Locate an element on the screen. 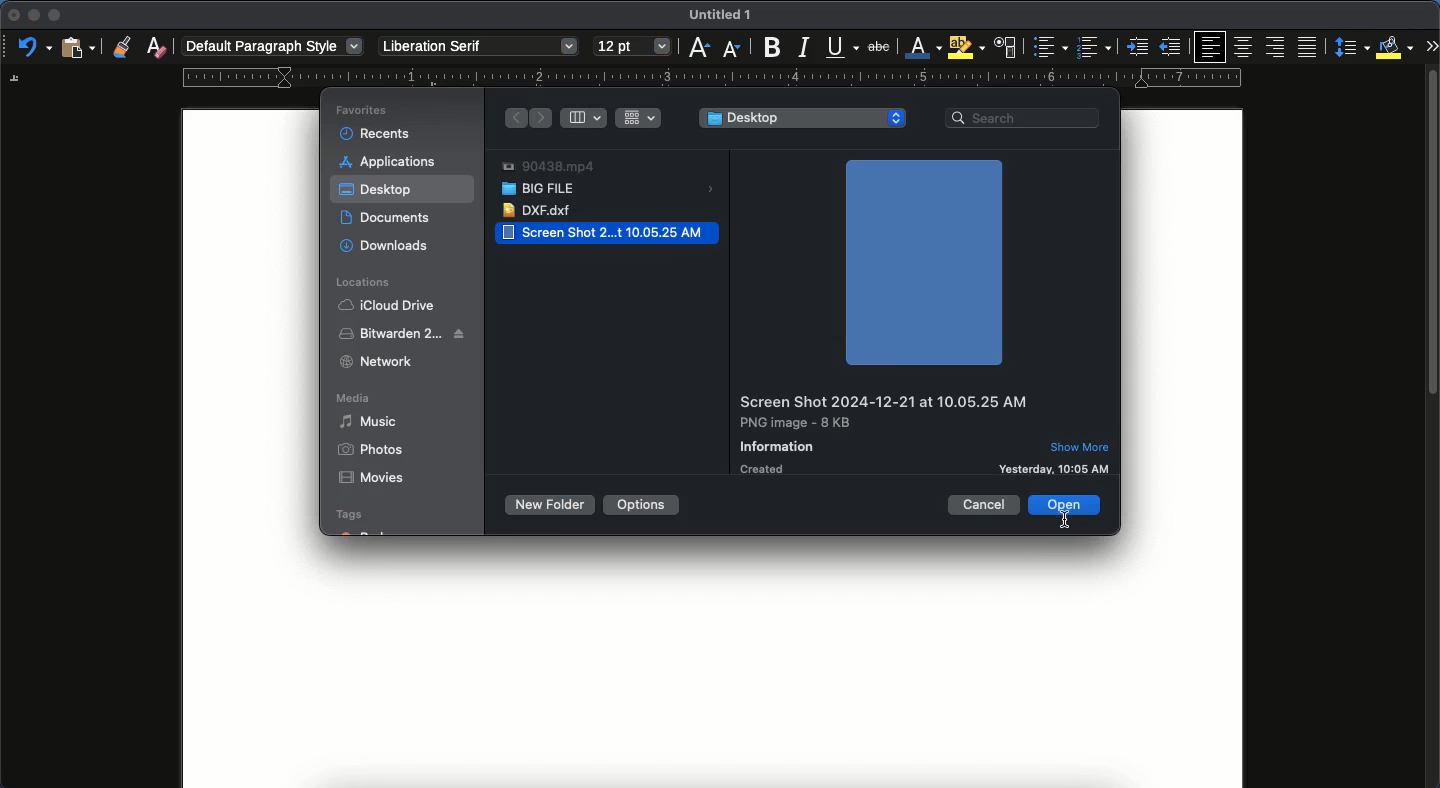 This screenshot has height=788, width=1440. iCloud Drive is located at coordinates (385, 305).